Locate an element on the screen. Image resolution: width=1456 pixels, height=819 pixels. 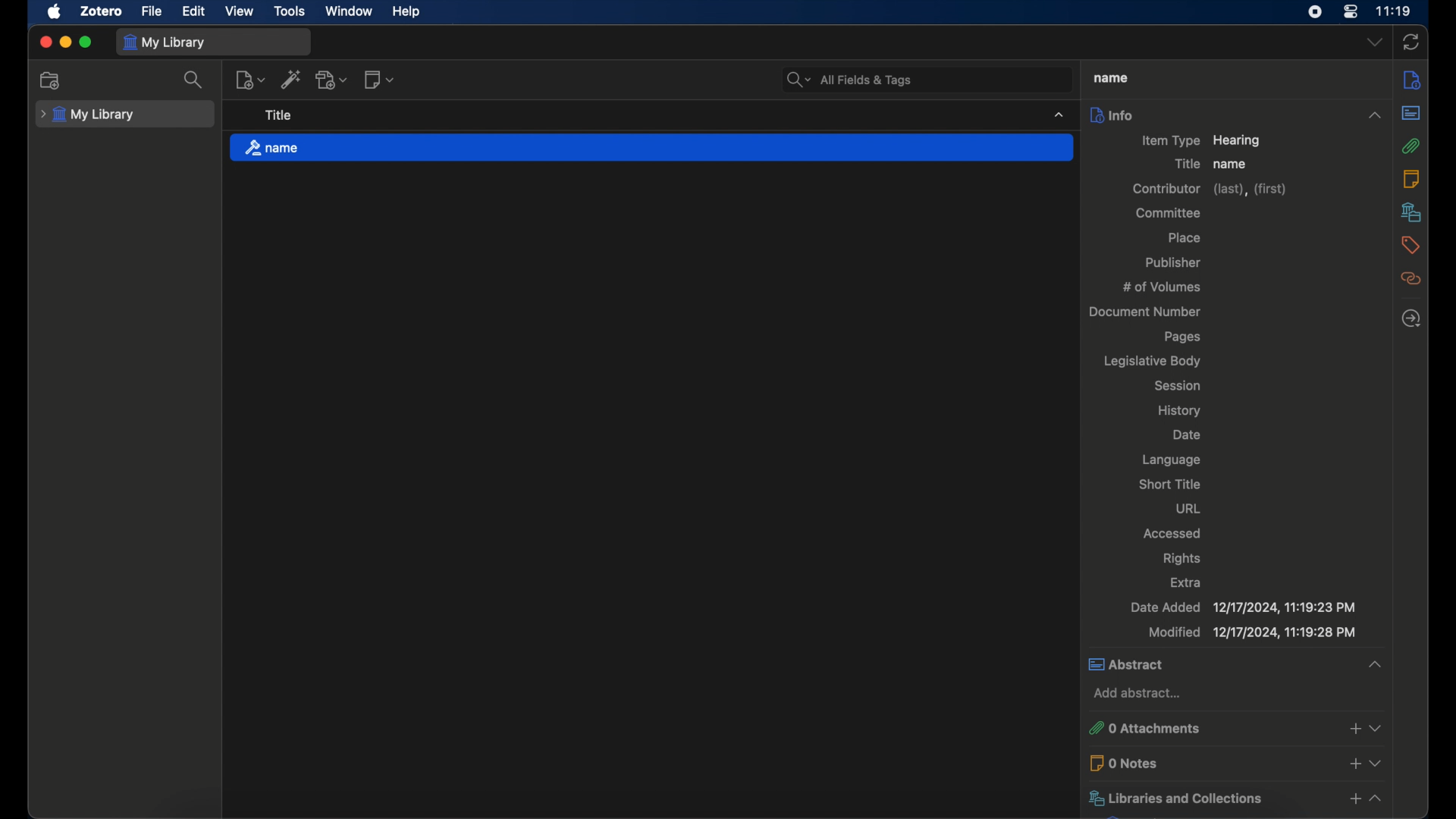
history is located at coordinates (1181, 410).